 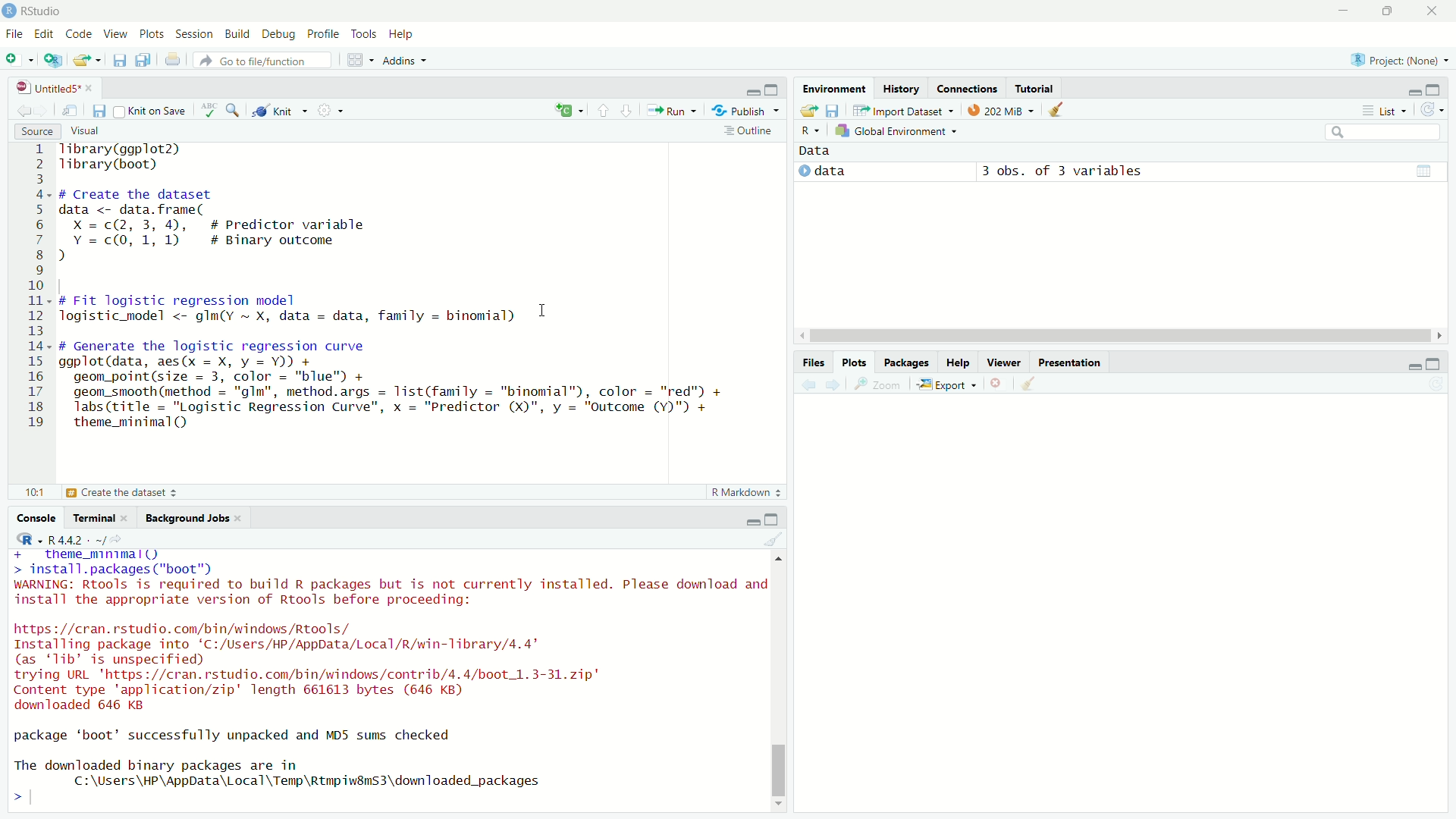 What do you see at coordinates (810, 131) in the screenshot?
I see `R` at bounding box center [810, 131].